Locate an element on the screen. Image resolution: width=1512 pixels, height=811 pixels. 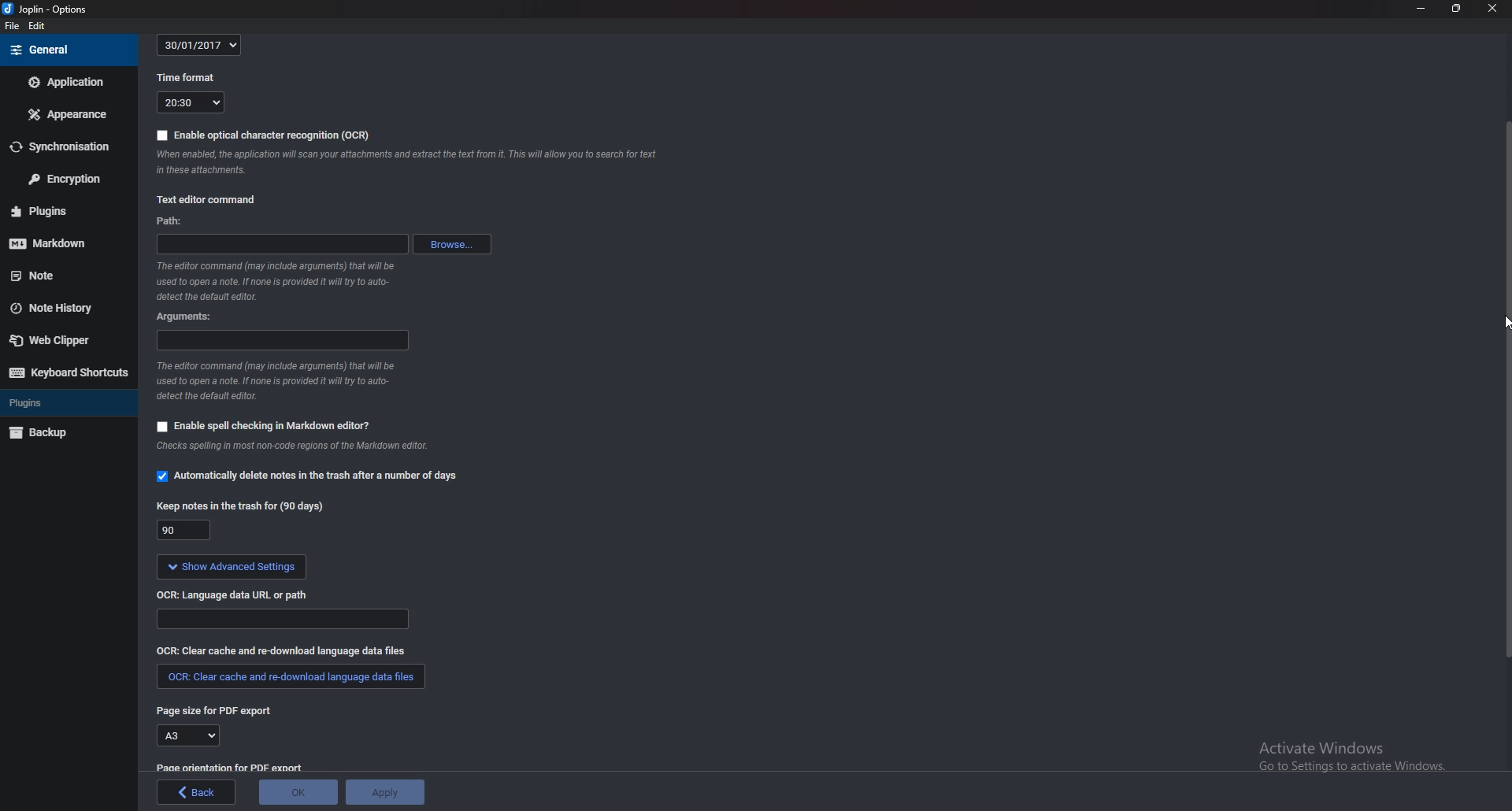
Enable spell checking is located at coordinates (265, 426).